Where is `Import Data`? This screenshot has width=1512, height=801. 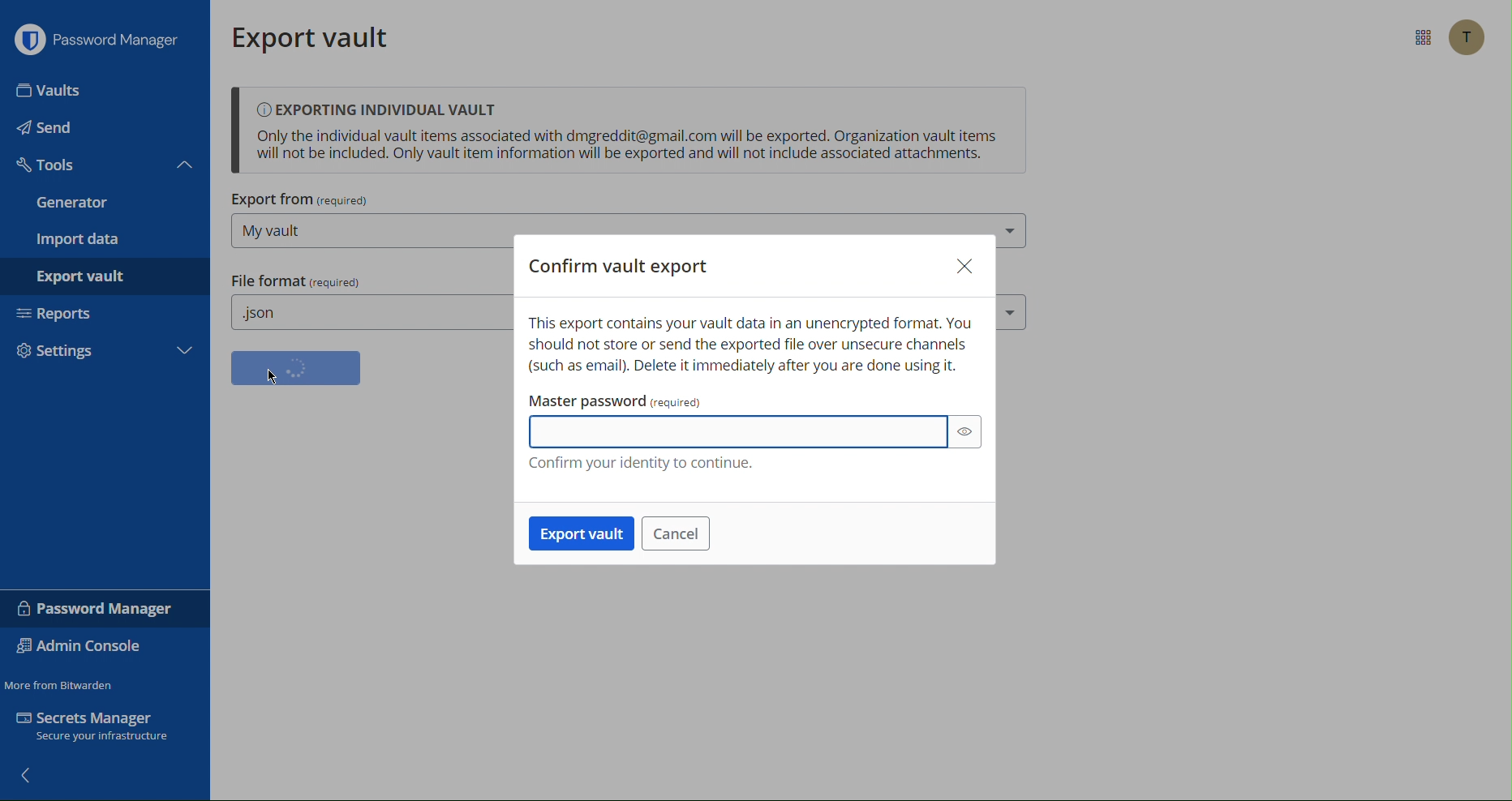
Import Data is located at coordinates (79, 240).